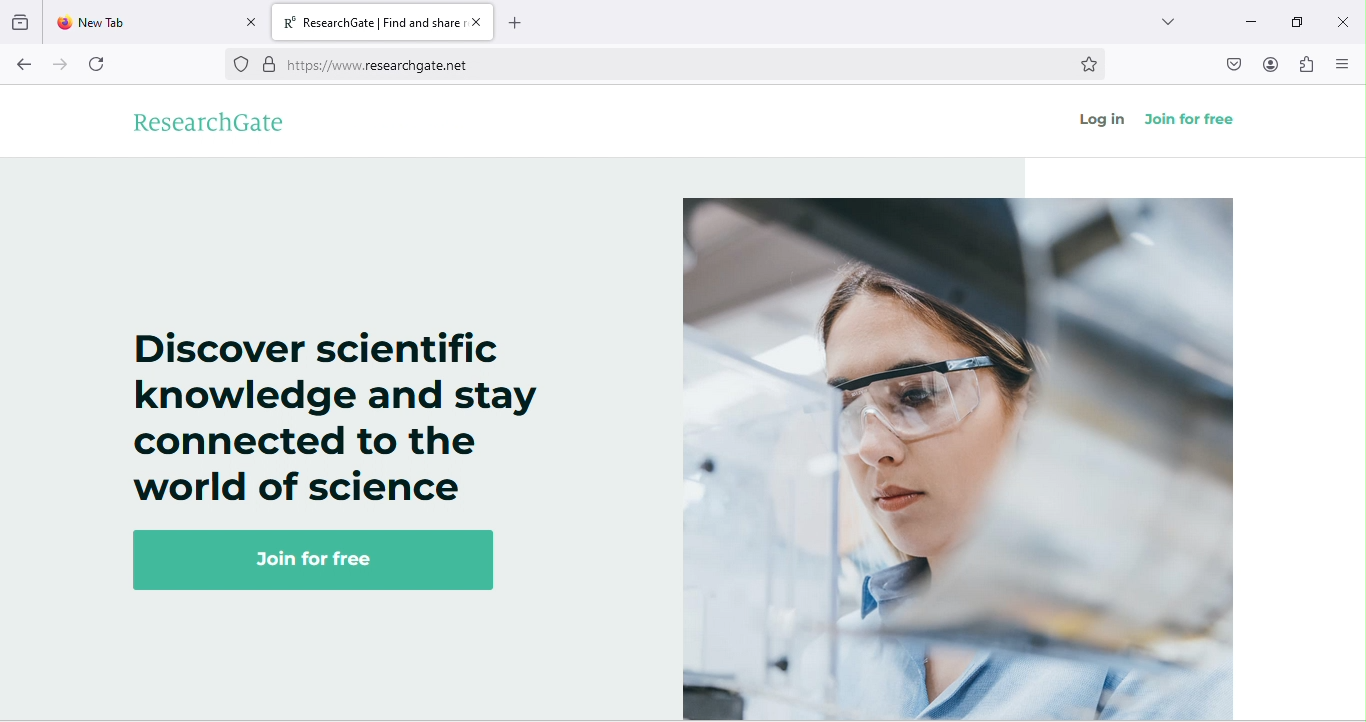 This screenshot has width=1366, height=722. Describe the element at coordinates (1271, 64) in the screenshot. I see `account` at that location.